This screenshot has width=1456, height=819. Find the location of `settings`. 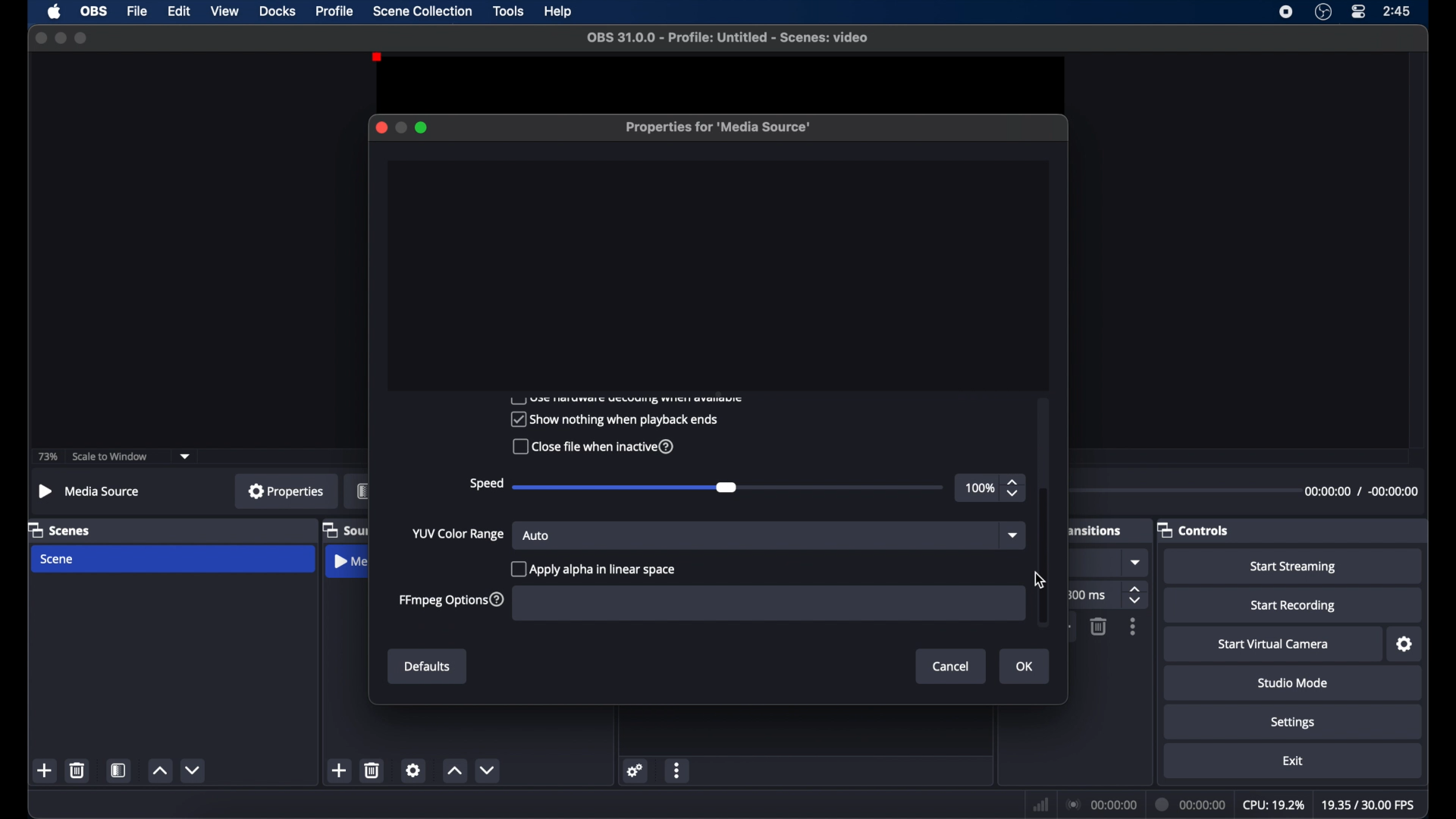

settings is located at coordinates (413, 770).